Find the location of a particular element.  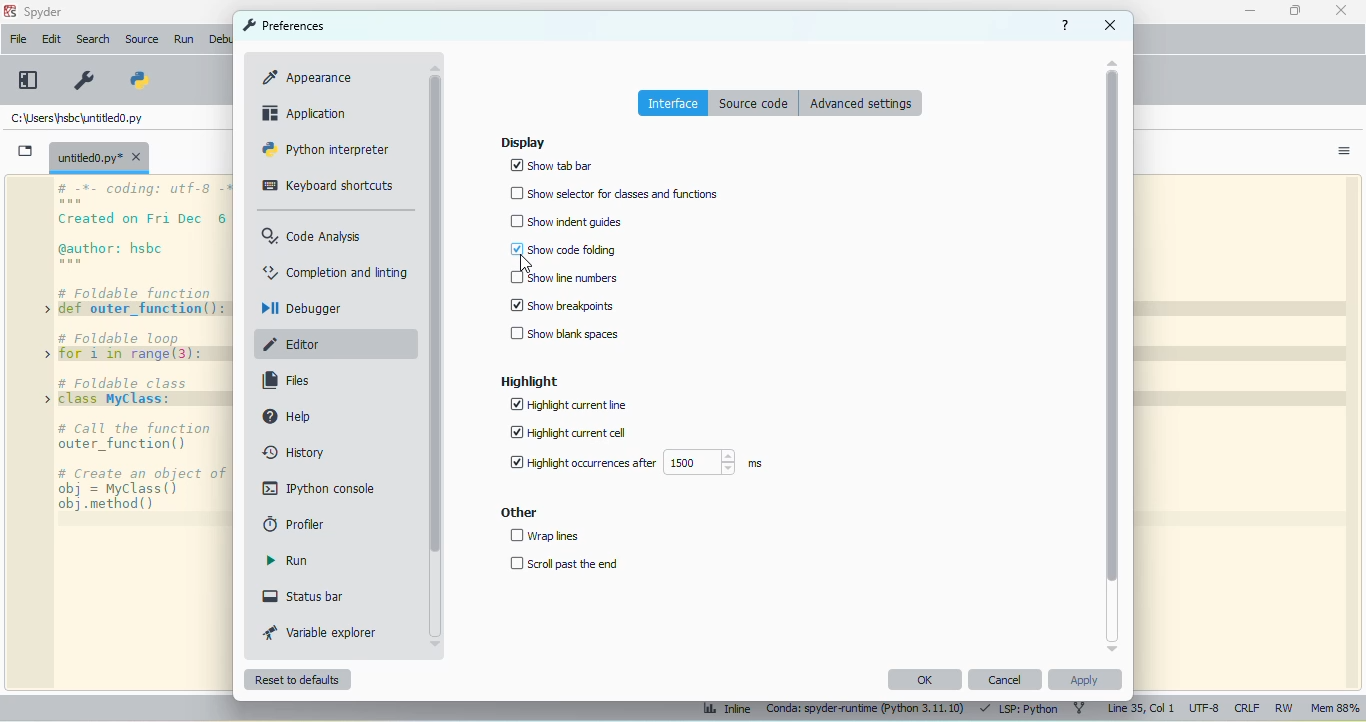

line 35, col 1 is located at coordinates (1140, 709).